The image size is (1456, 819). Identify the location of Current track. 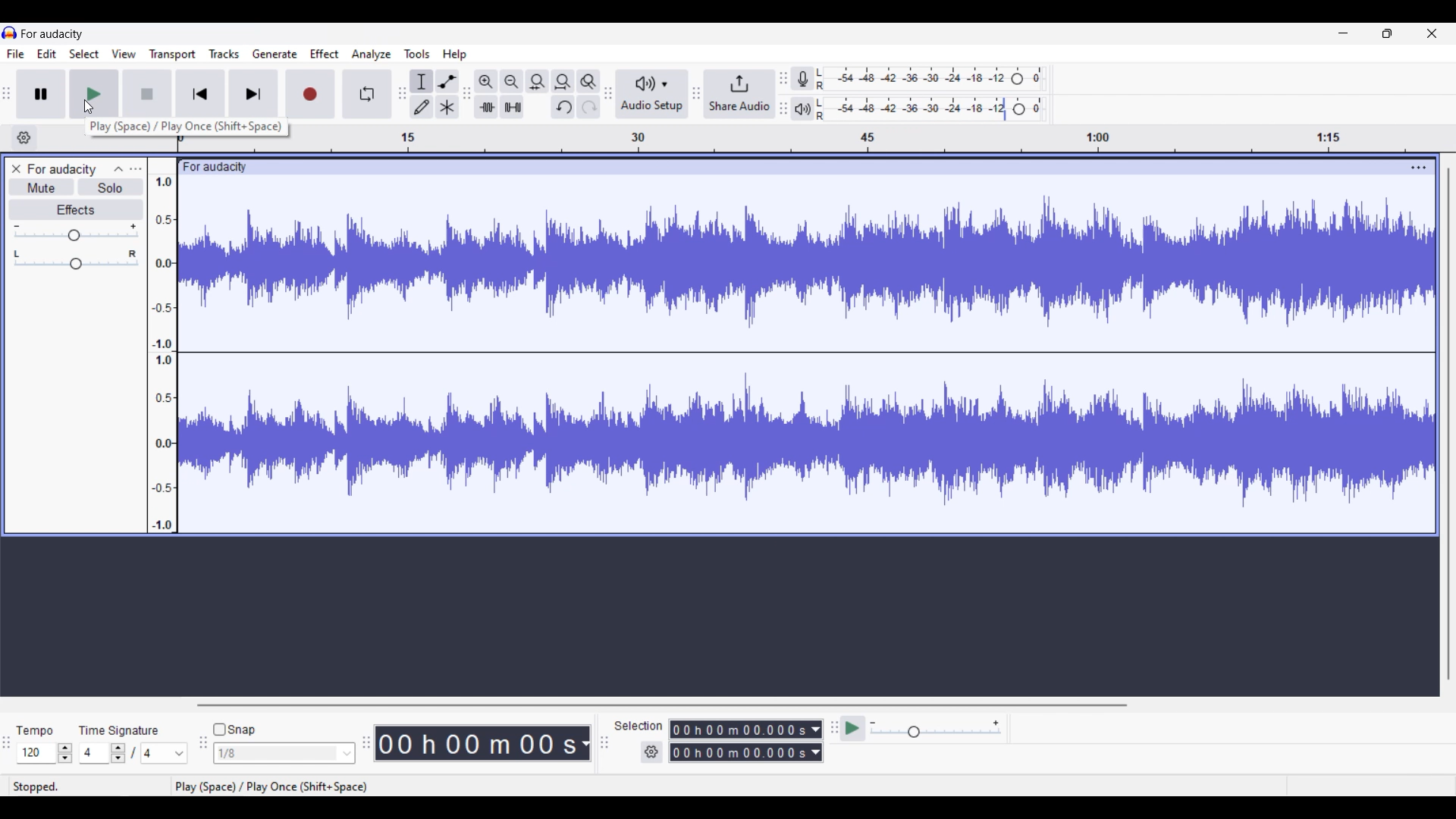
(806, 354).